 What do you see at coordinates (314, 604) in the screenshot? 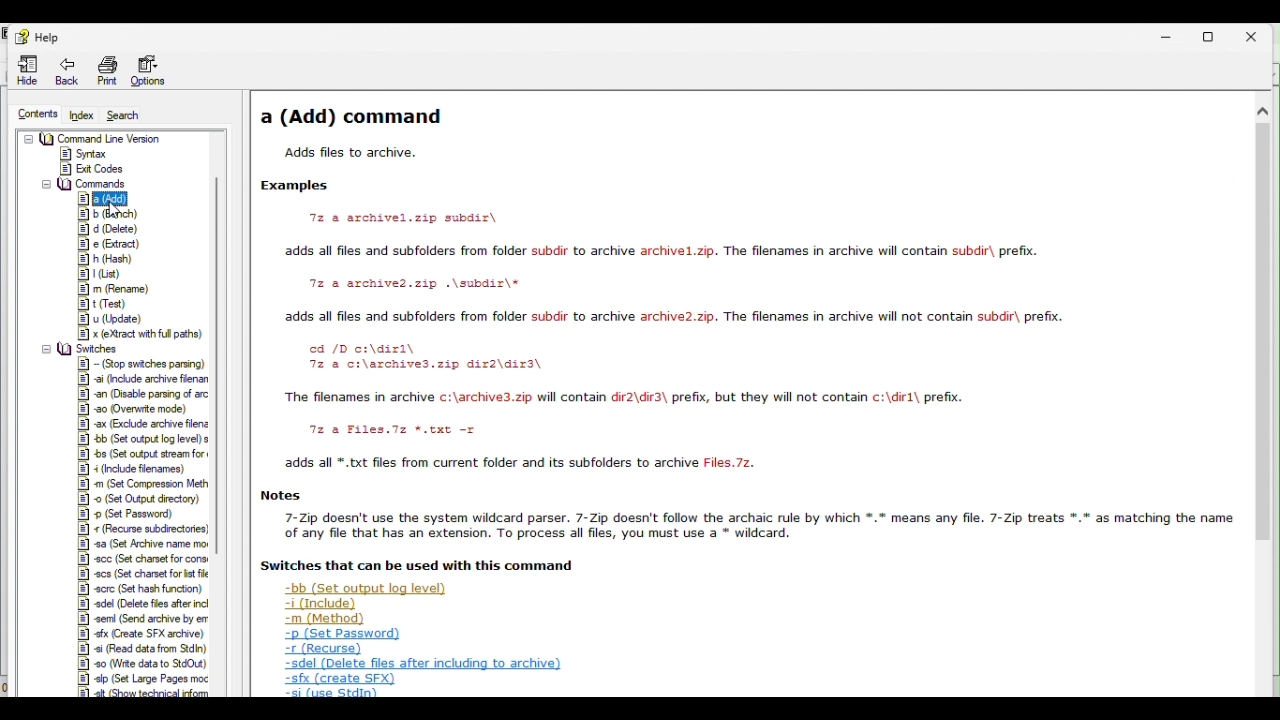
I see `-i` at bounding box center [314, 604].